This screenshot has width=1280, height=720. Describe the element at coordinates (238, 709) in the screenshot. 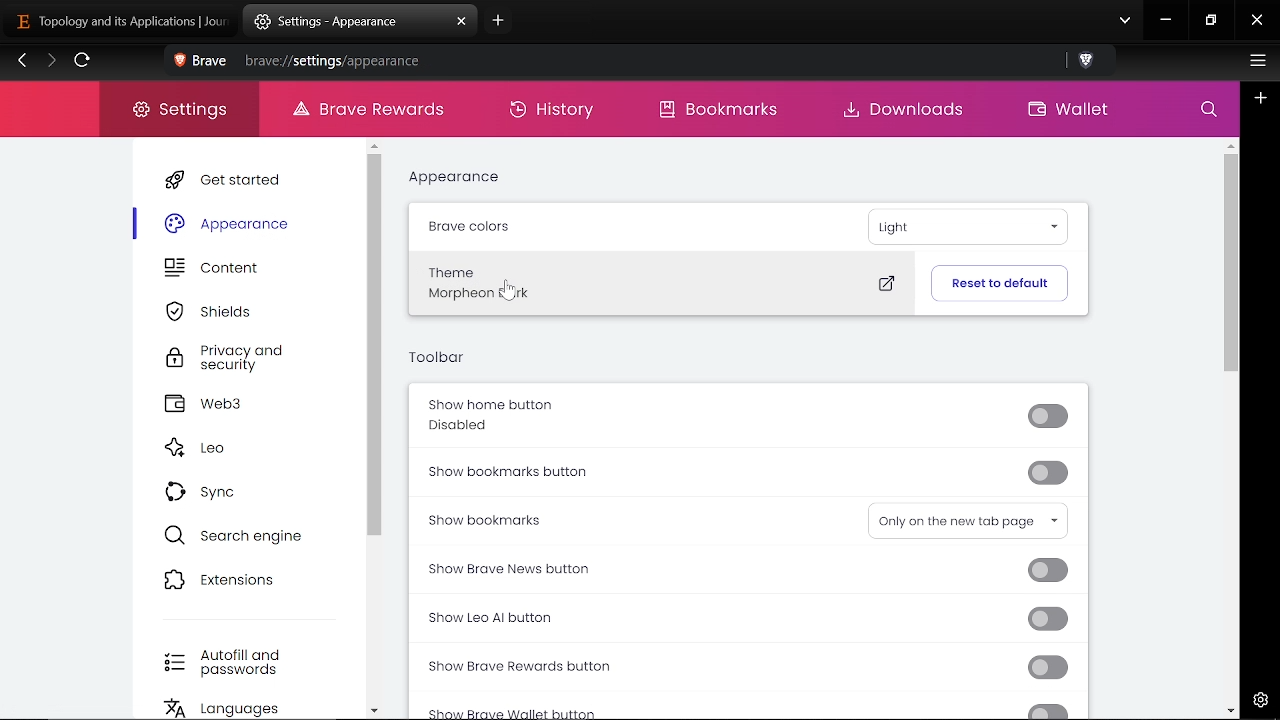

I see `languages` at that location.